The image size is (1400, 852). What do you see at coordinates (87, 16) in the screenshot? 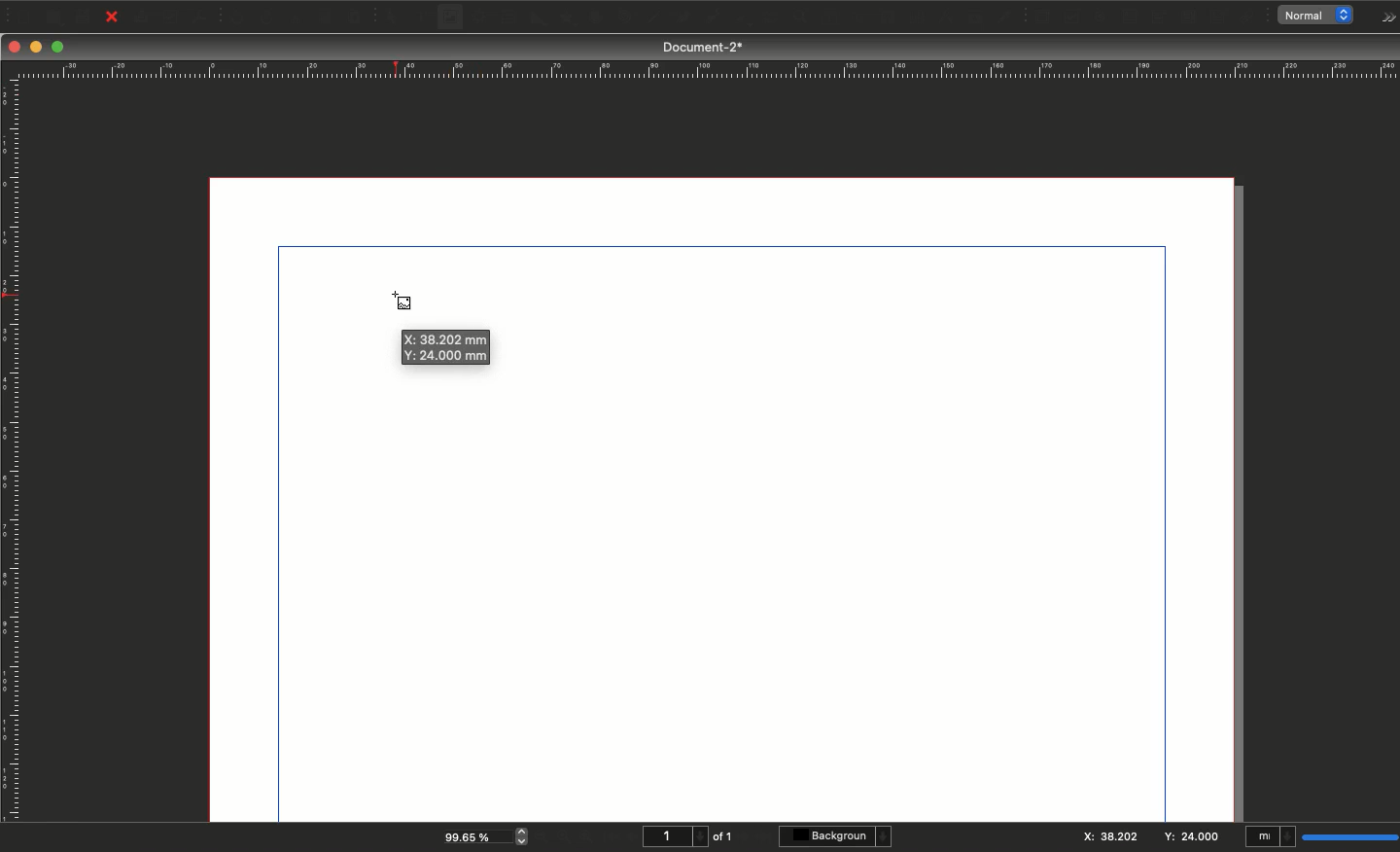
I see `Save` at bounding box center [87, 16].